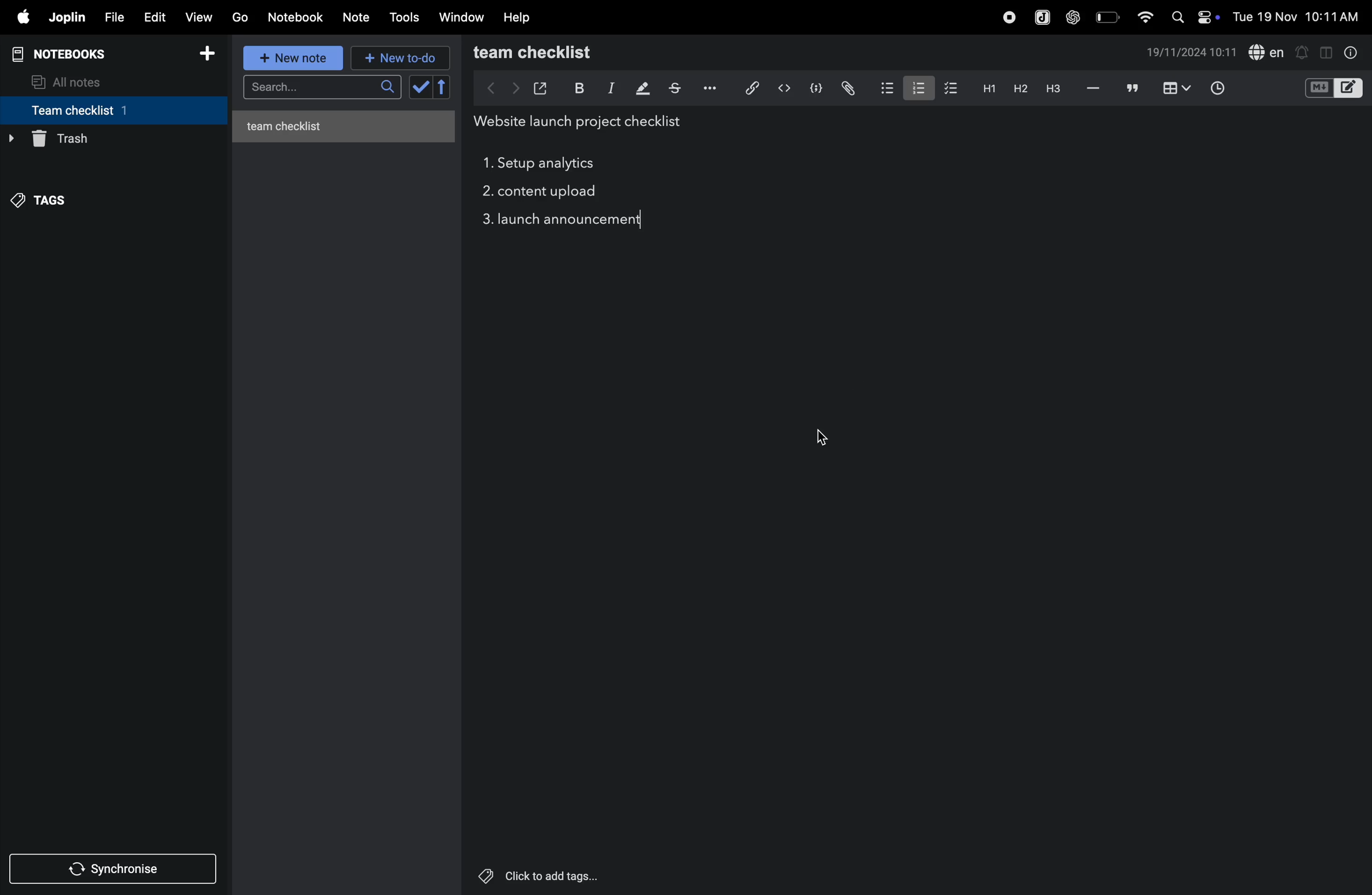 This screenshot has width=1372, height=895. What do you see at coordinates (541, 86) in the screenshot?
I see `open window` at bounding box center [541, 86].